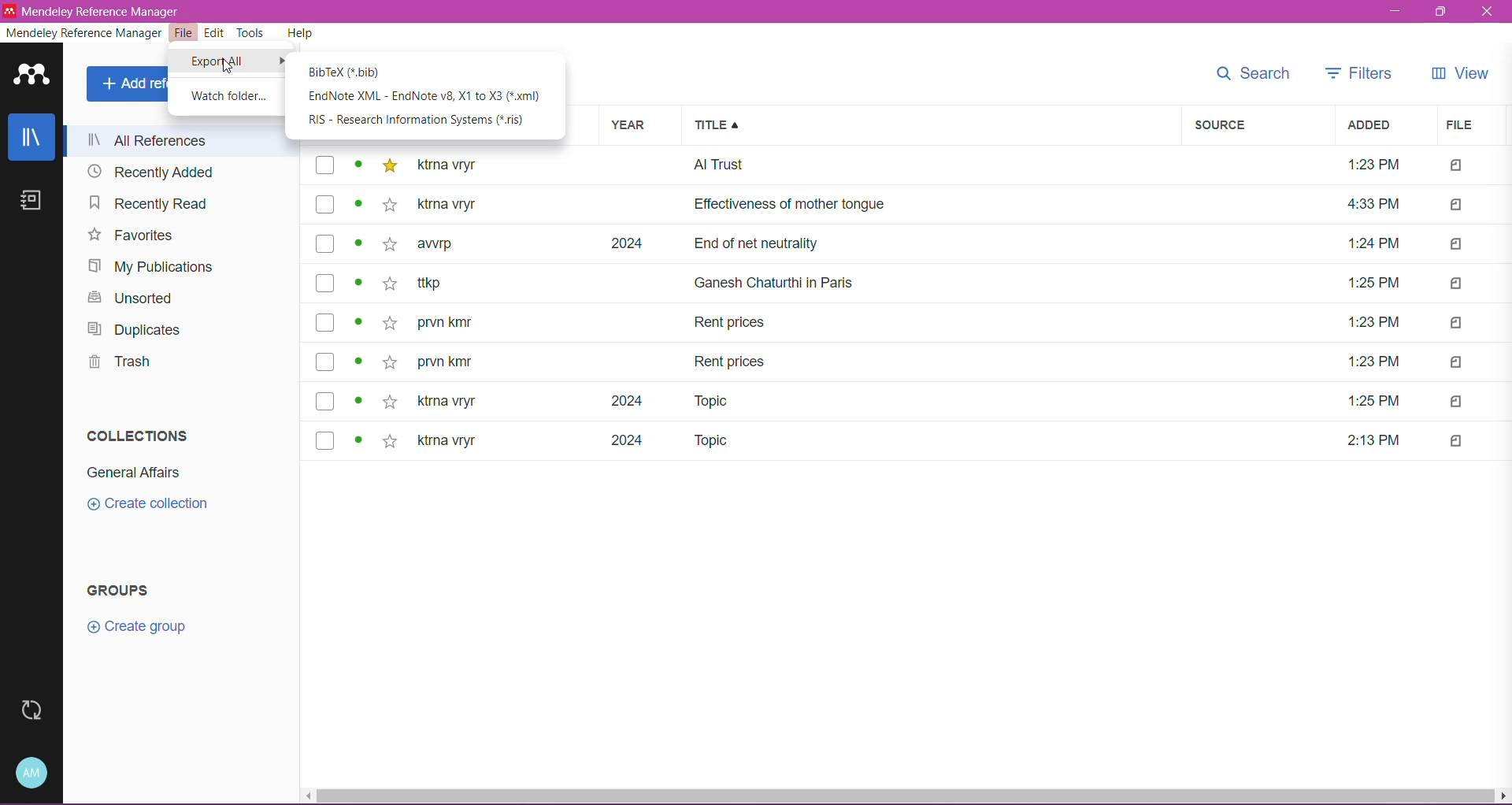 This screenshot has height=805, width=1512. I want to click on Watch Folder, so click(228, 97).